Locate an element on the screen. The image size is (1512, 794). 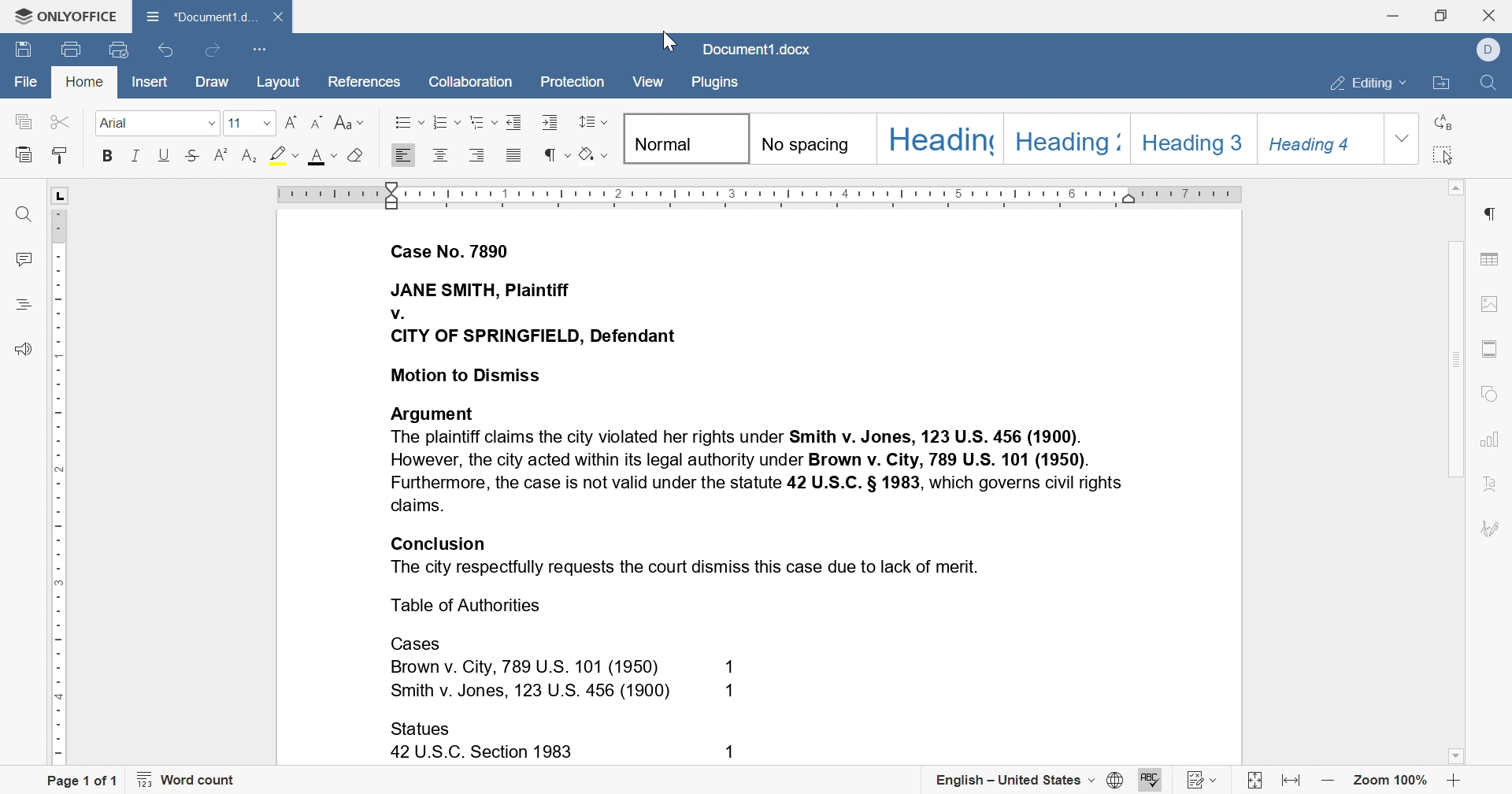
Case No. 7890

JANE SMITH, Plaintiff

v.

CITY OF SPRINGFIELD, Defendant

Motion to Dismiss

Argument

The plaintiff claims the city violated her rights under Smith v. Jones, 123 U.S. 456 (1900).
However, the city acted within its legal authority under Brown v. City, 789 U.S. 101 (1950).
Furthermore, the case is not valid under the statute 42 U.S.C. § 1983, which governs civil rights
claims.

Conclusion

The city respectfully requests the court dismiss this case due to lack of merit. is located at coordinates (762, 406).